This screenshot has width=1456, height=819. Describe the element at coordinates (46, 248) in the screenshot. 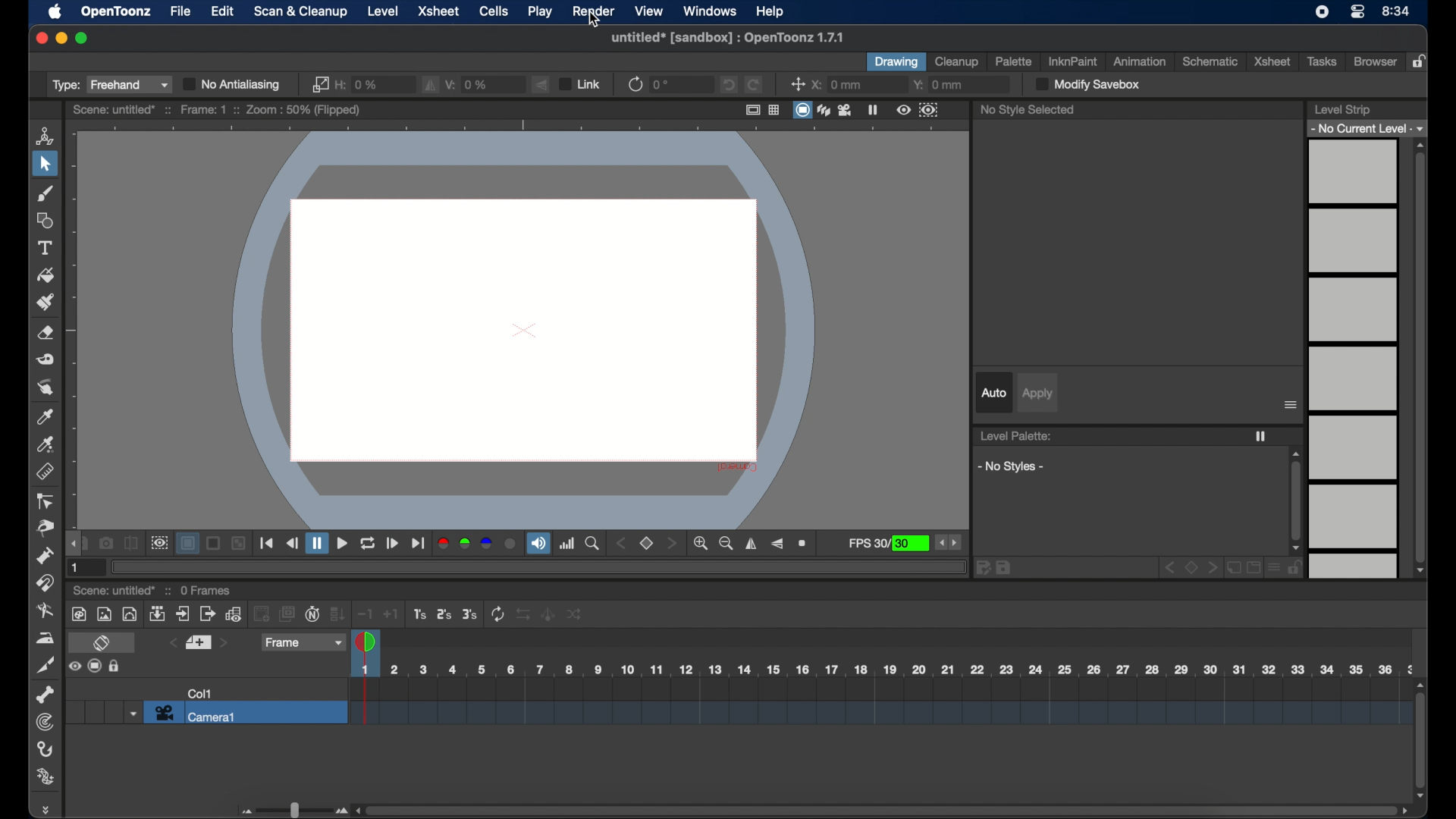

I see `type tool` at that location.